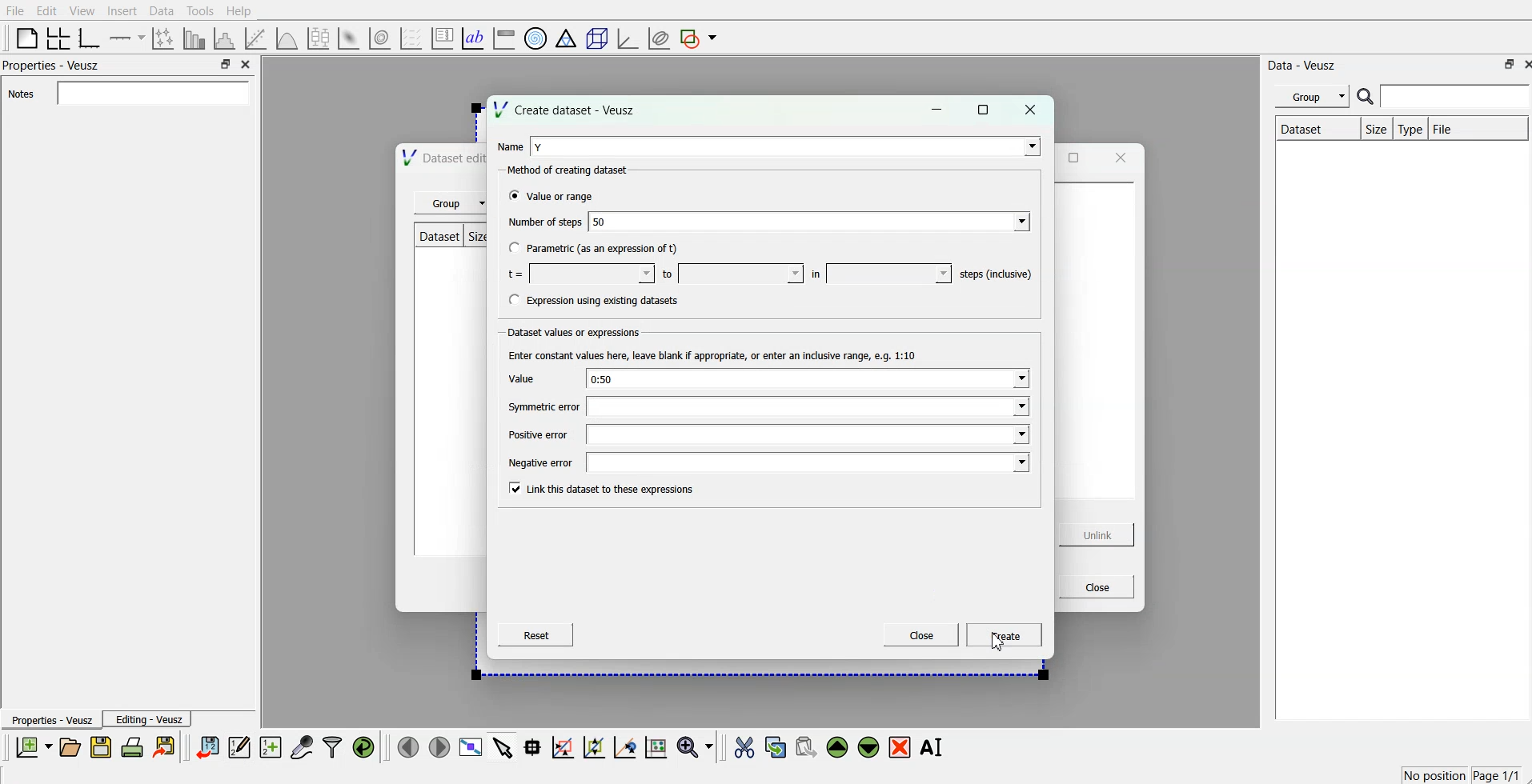 This screenshot has width=1532, height=784. What do you see at coordinates (532, 636) in the screenshot?
I see `Reset` at bounding box center [532, 636].